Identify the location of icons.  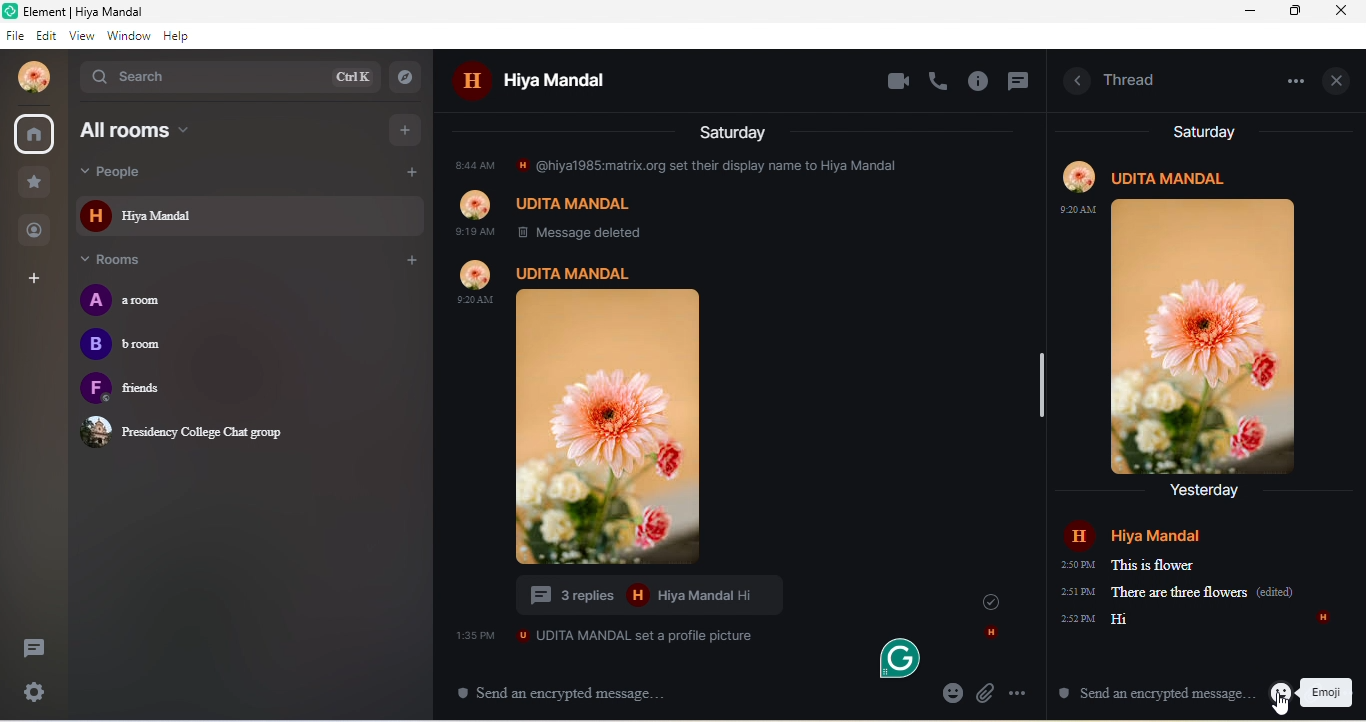
(991, 614).